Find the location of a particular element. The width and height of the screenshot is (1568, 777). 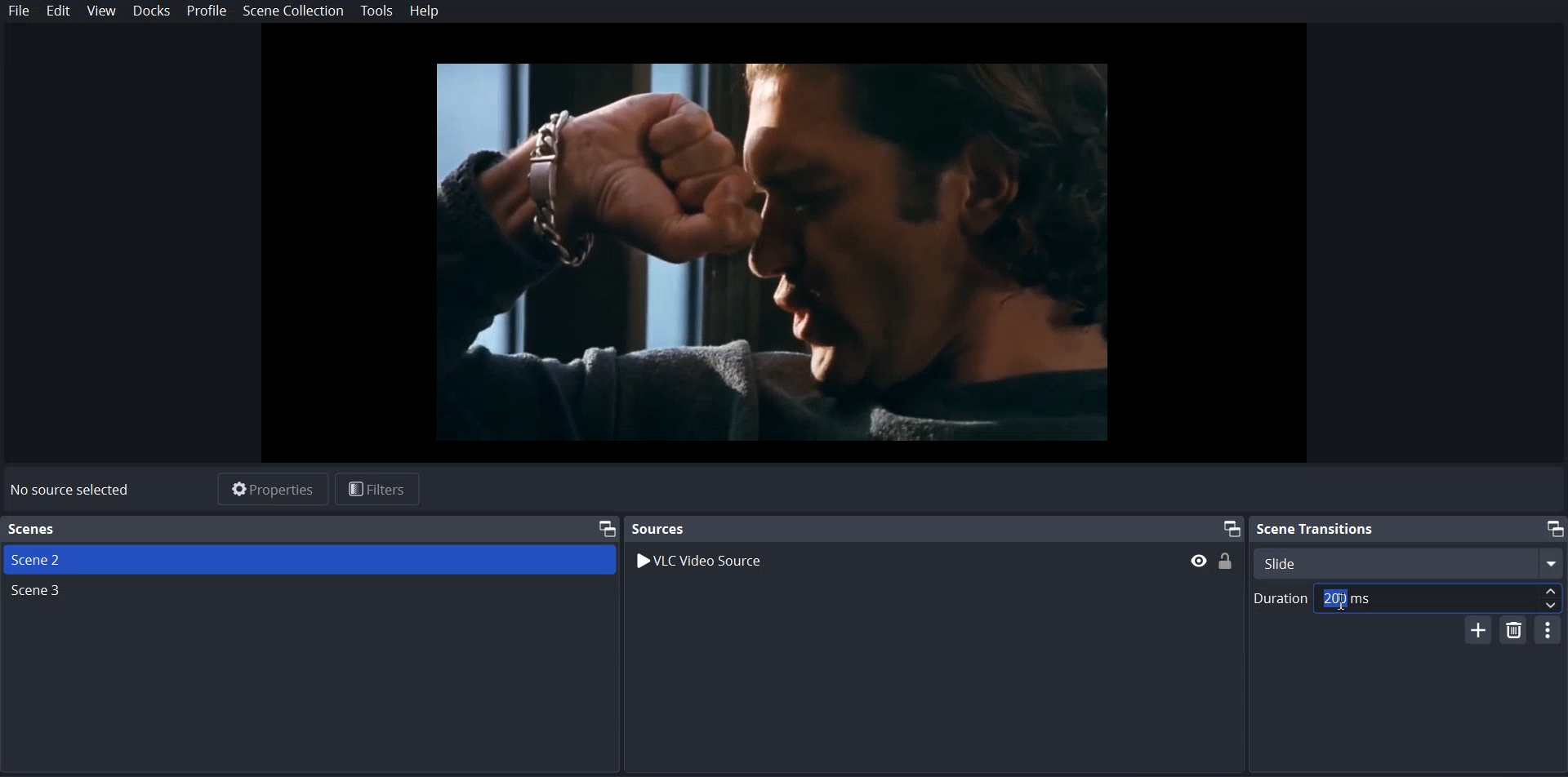

Add Configurable Transition is located at coordinates (1480, 628).